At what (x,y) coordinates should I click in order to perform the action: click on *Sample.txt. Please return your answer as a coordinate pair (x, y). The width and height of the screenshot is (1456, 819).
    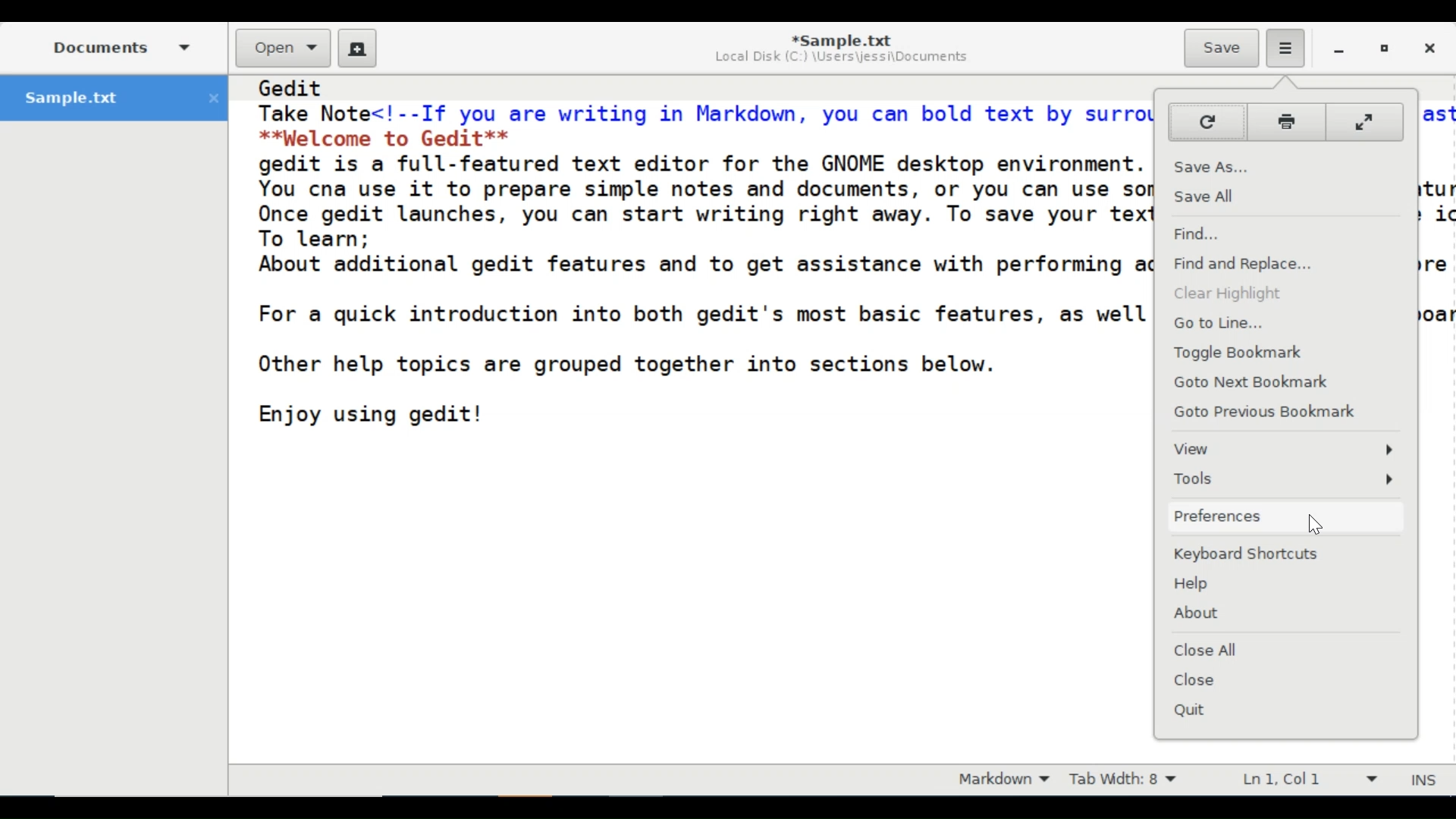
    Looking at the image, I should click on (840, 39).